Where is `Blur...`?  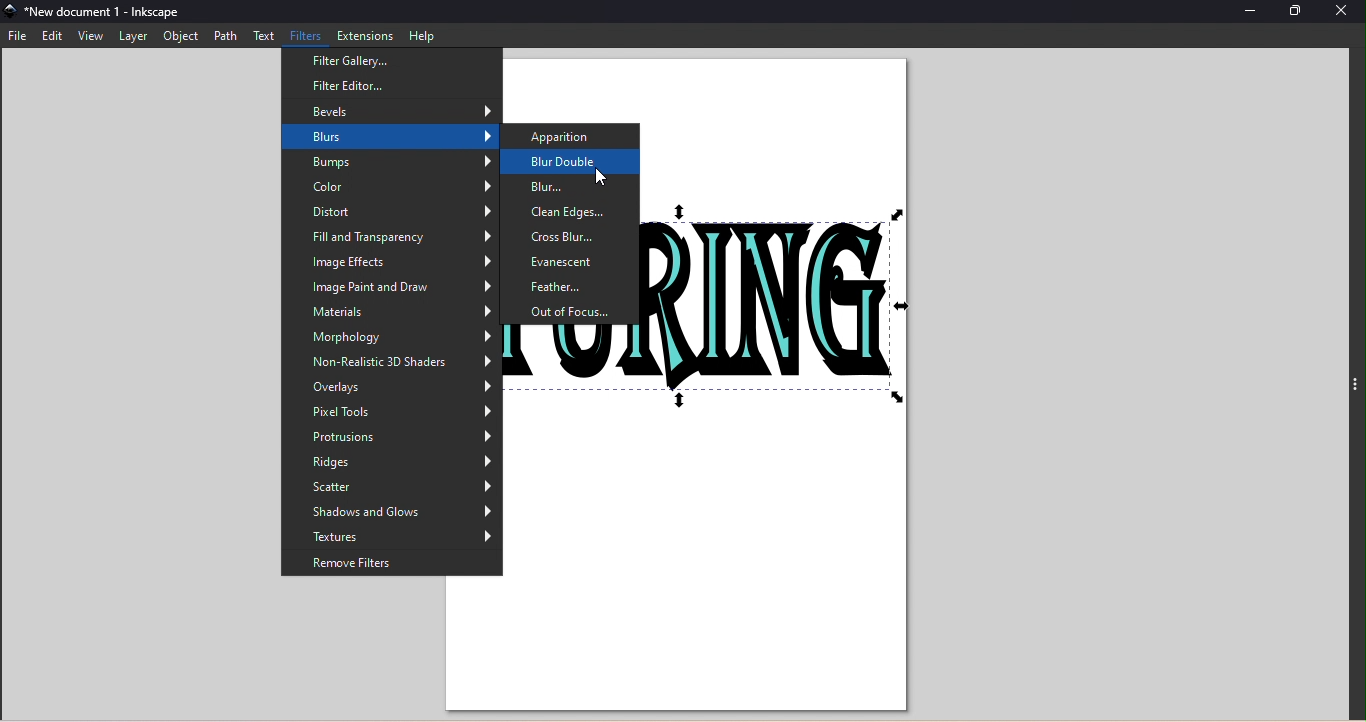 Blur... is located at coordinates (573, 187).